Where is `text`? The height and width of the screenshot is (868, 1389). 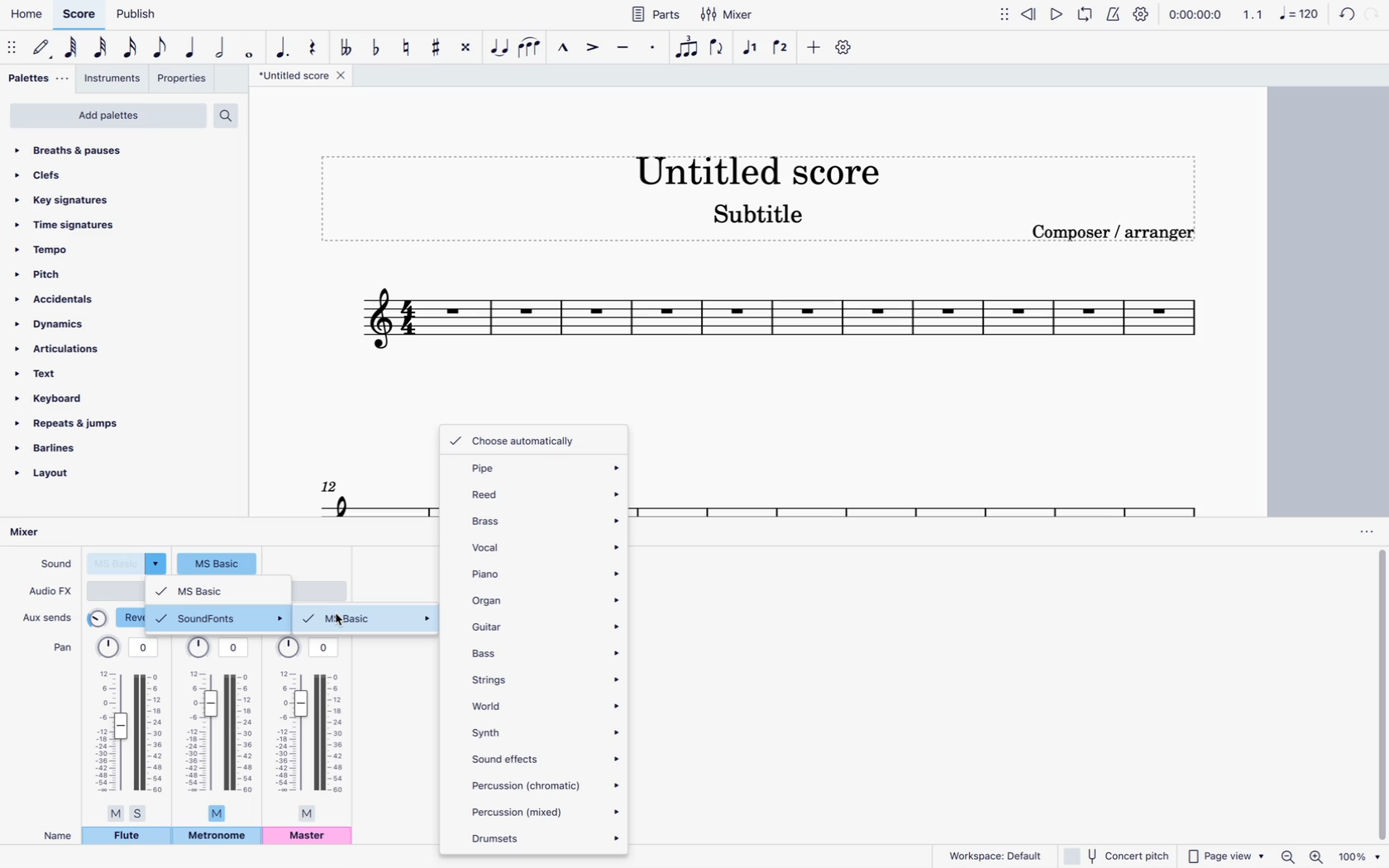 text is located at coordinates (61, 375).